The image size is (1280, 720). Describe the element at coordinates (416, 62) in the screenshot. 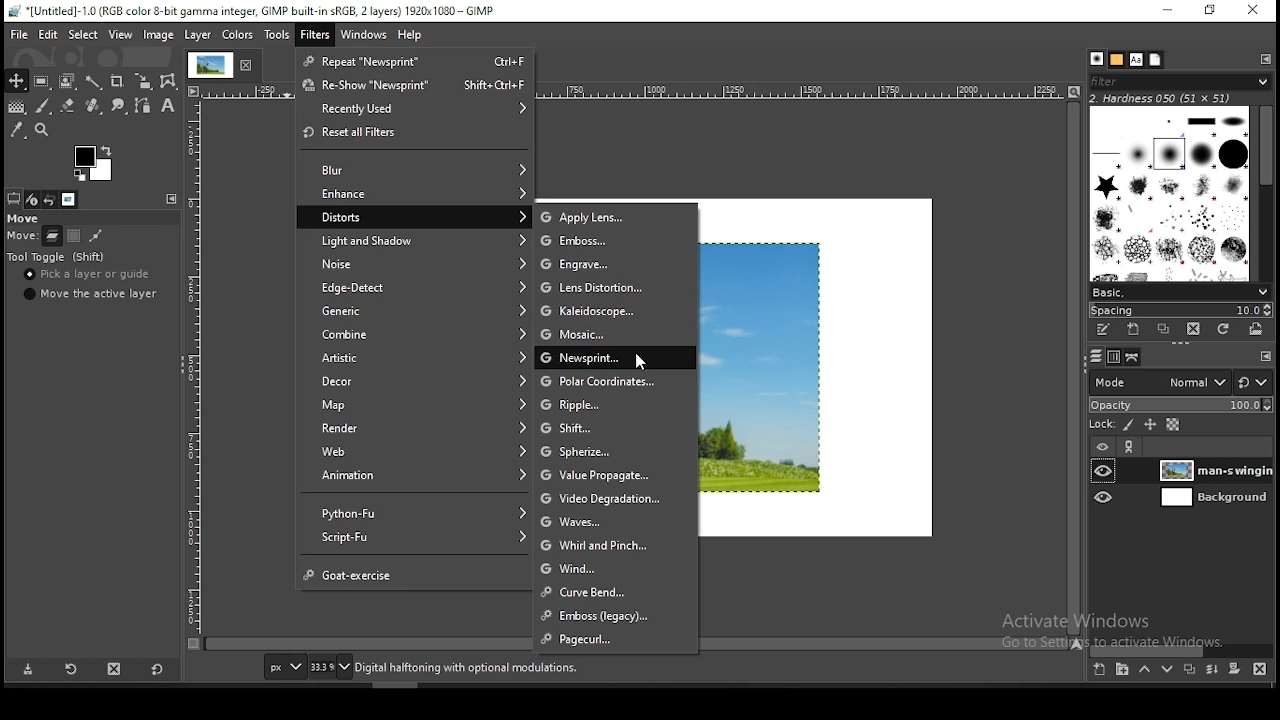

I see `repeat "newsprint"` at that location.